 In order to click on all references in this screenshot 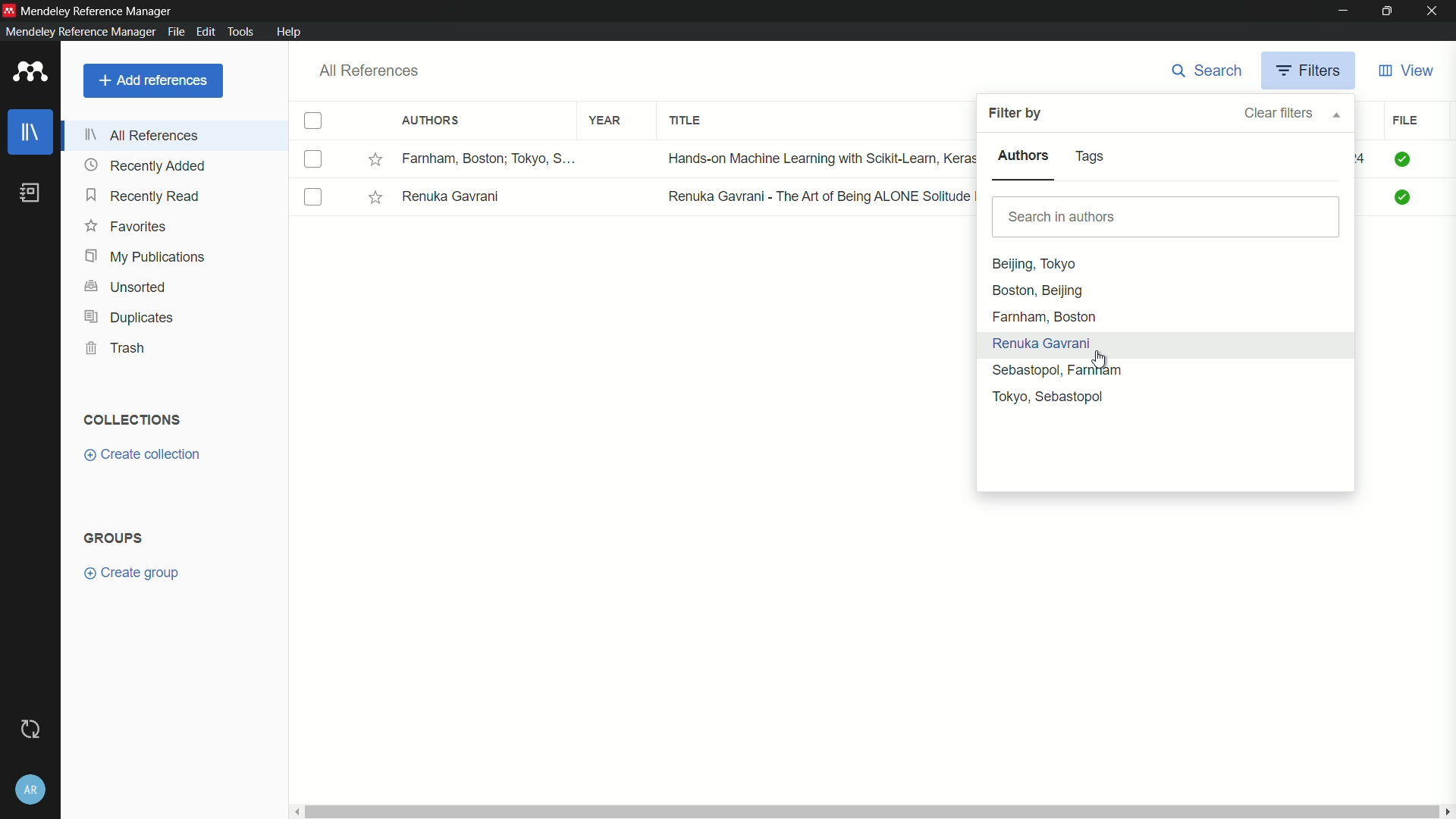, I will do `click(369, 71)`.